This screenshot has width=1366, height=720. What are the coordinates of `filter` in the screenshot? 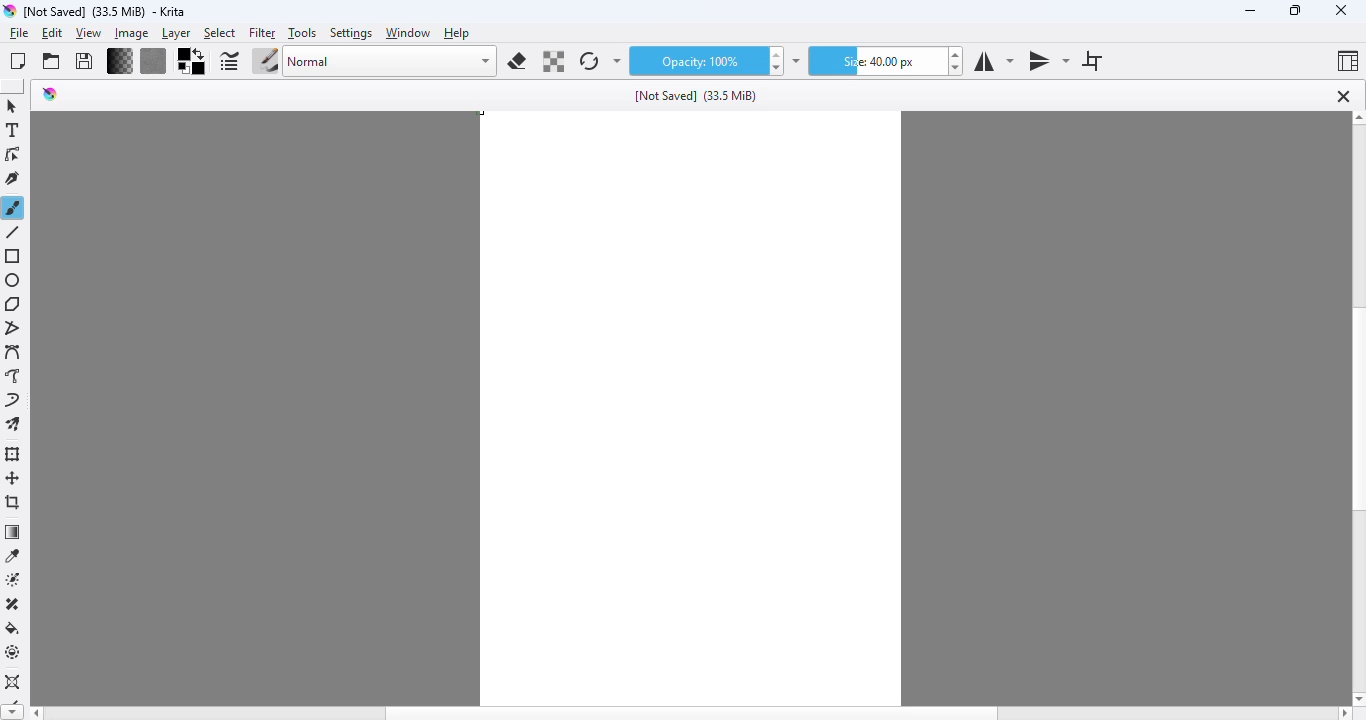 It's located at (264, 34).